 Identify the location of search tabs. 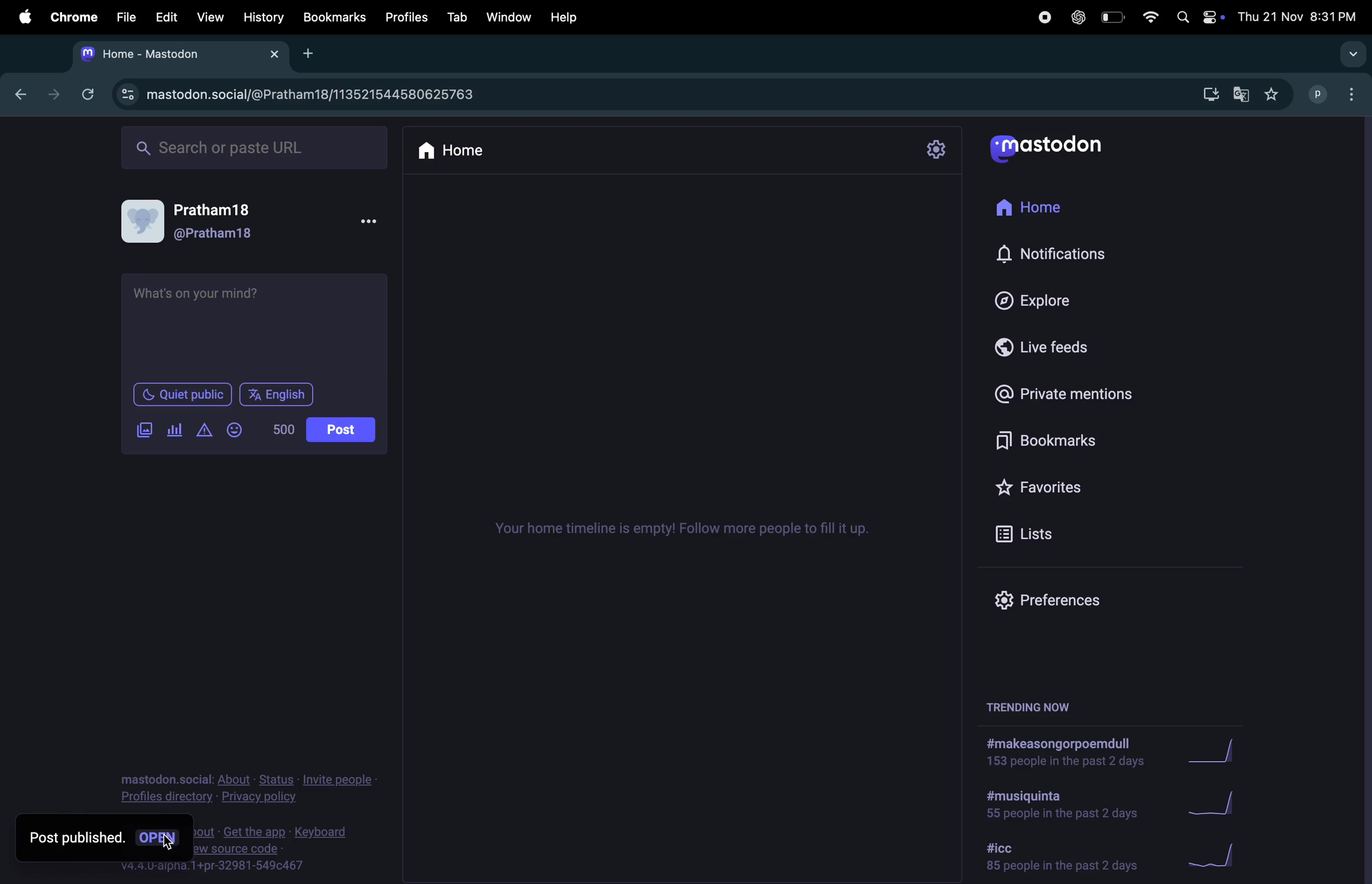
(1352, 54).